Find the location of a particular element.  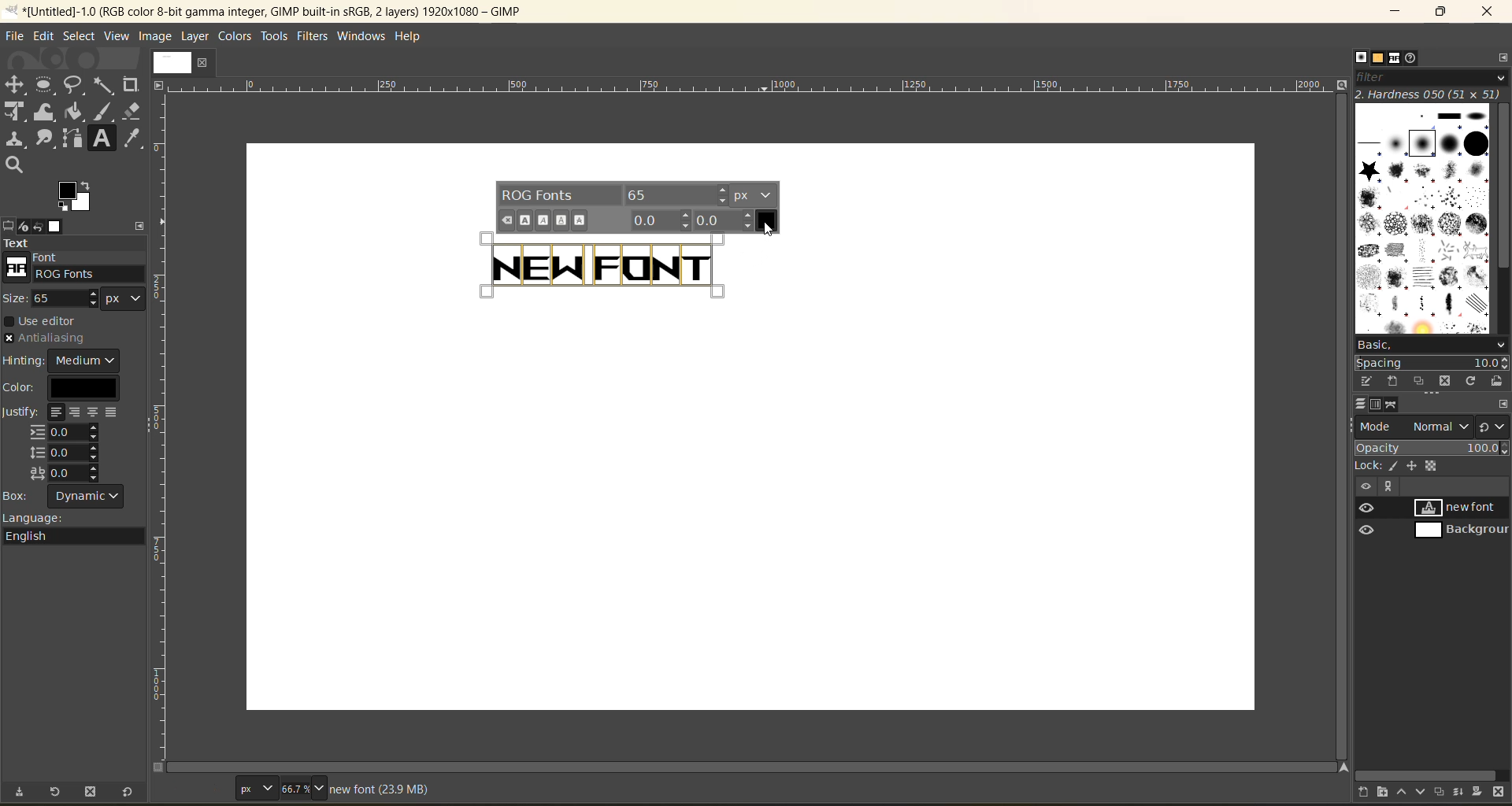

color is located at coordinates (69, 387).